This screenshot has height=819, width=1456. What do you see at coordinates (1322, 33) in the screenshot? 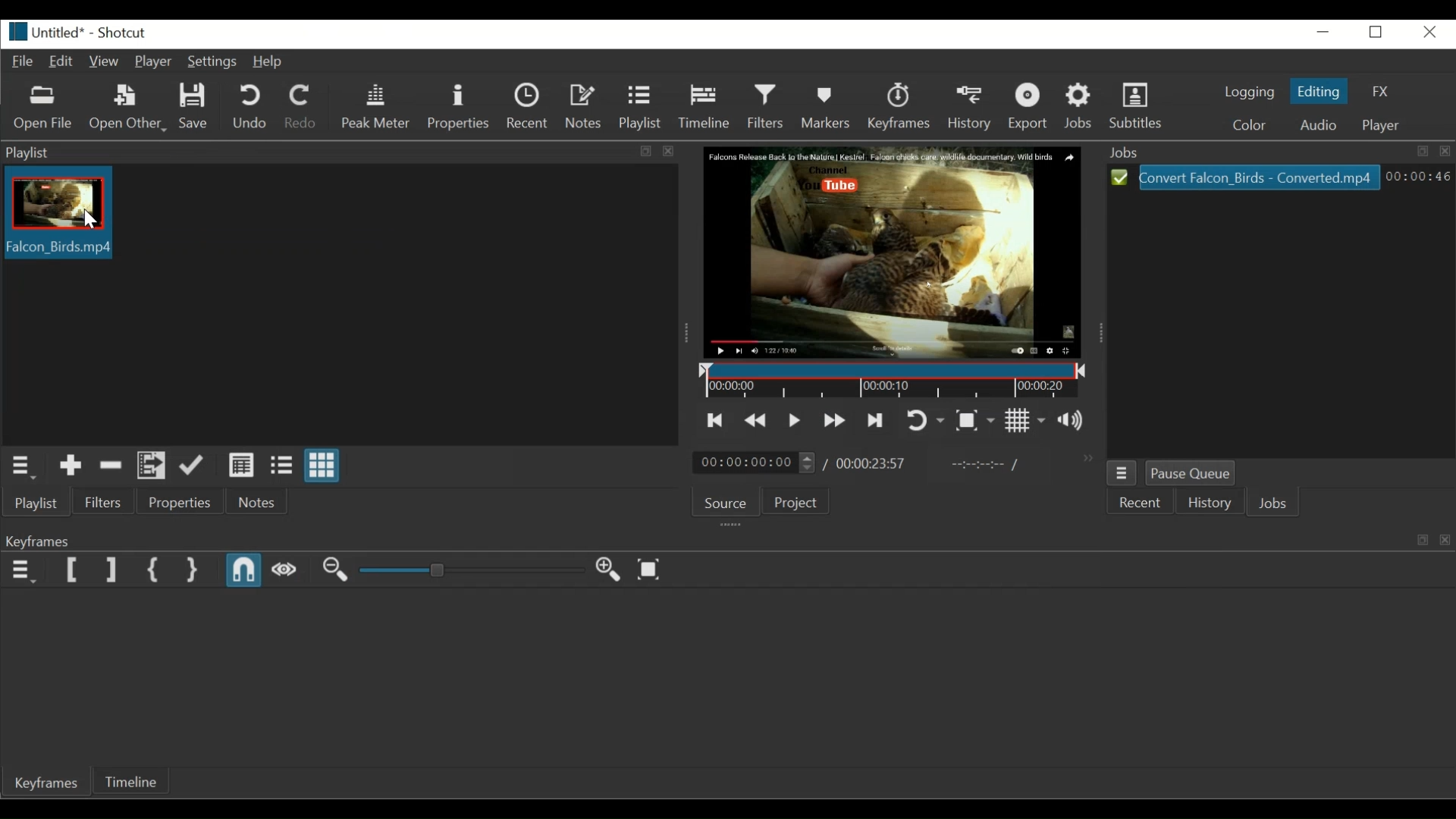
I see `minimize` at bounding box center [1322, 33].